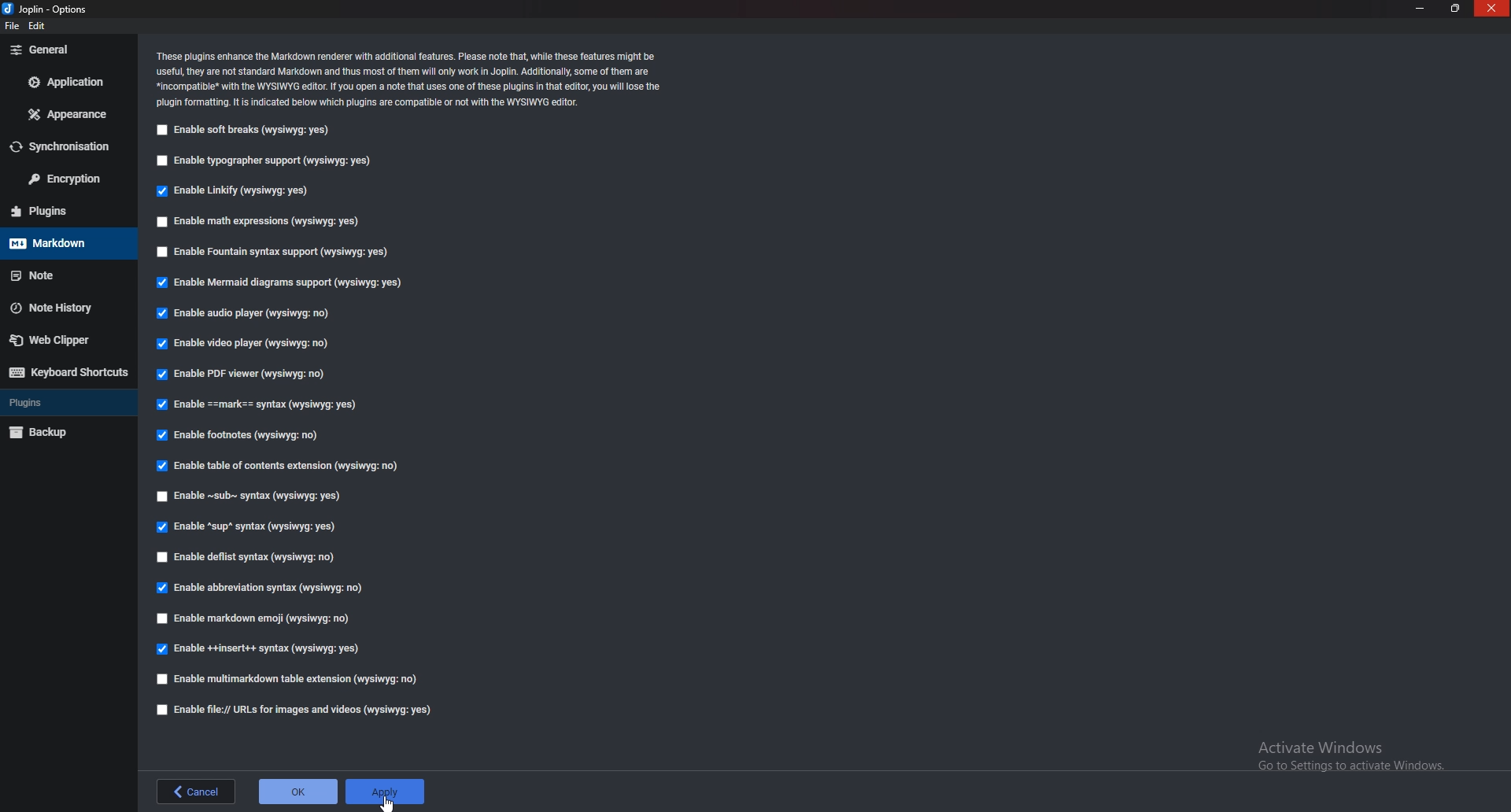 This screenshot has height=812, width=1511. Describe the element at coordinates (67, 306) in the screenshot. I see `note history` at that location.